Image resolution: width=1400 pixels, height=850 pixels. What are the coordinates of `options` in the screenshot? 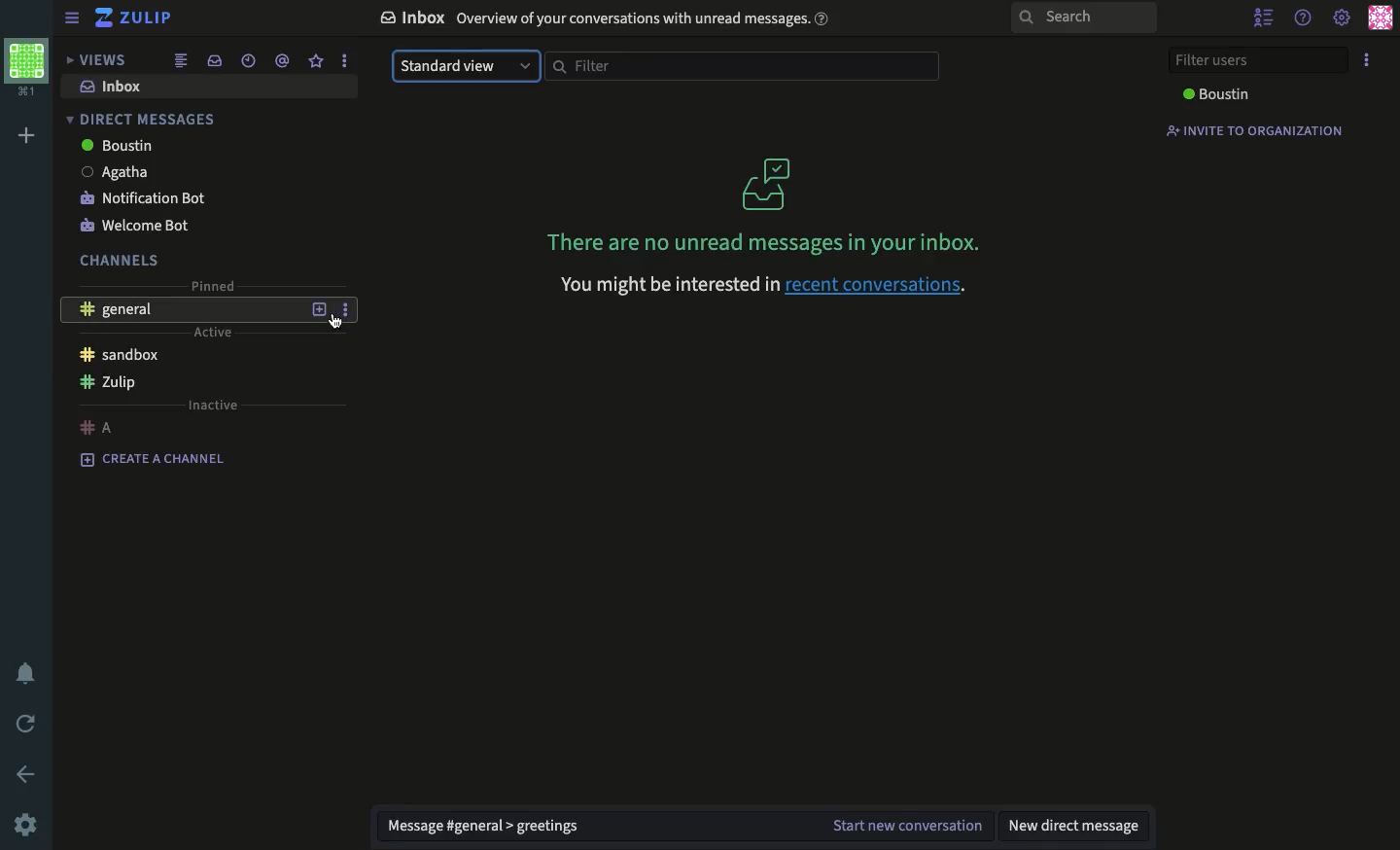 It's located at (1367, 59).